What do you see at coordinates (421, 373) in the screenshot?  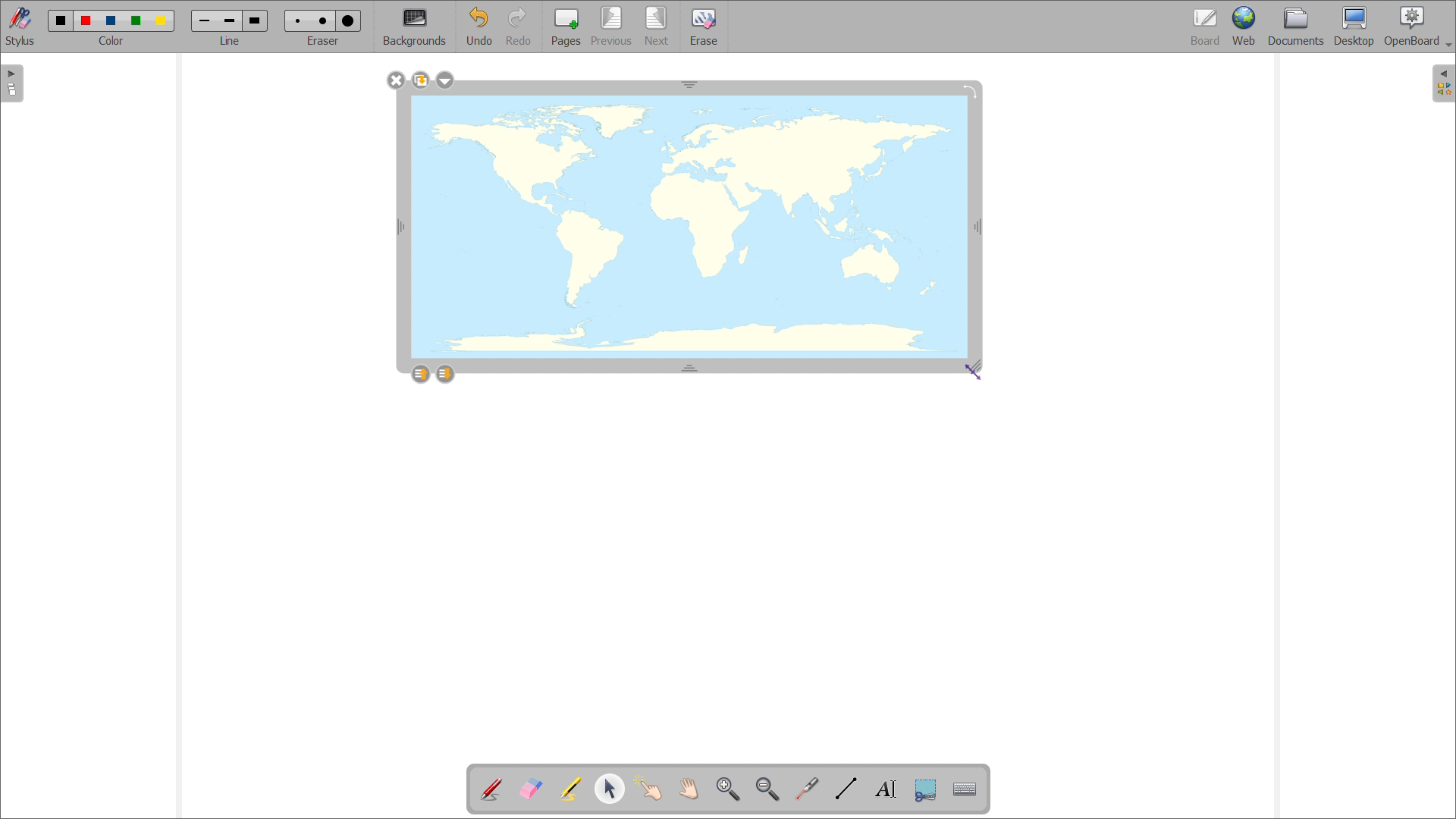 I see `layer up` at bounding box center [421, 373].